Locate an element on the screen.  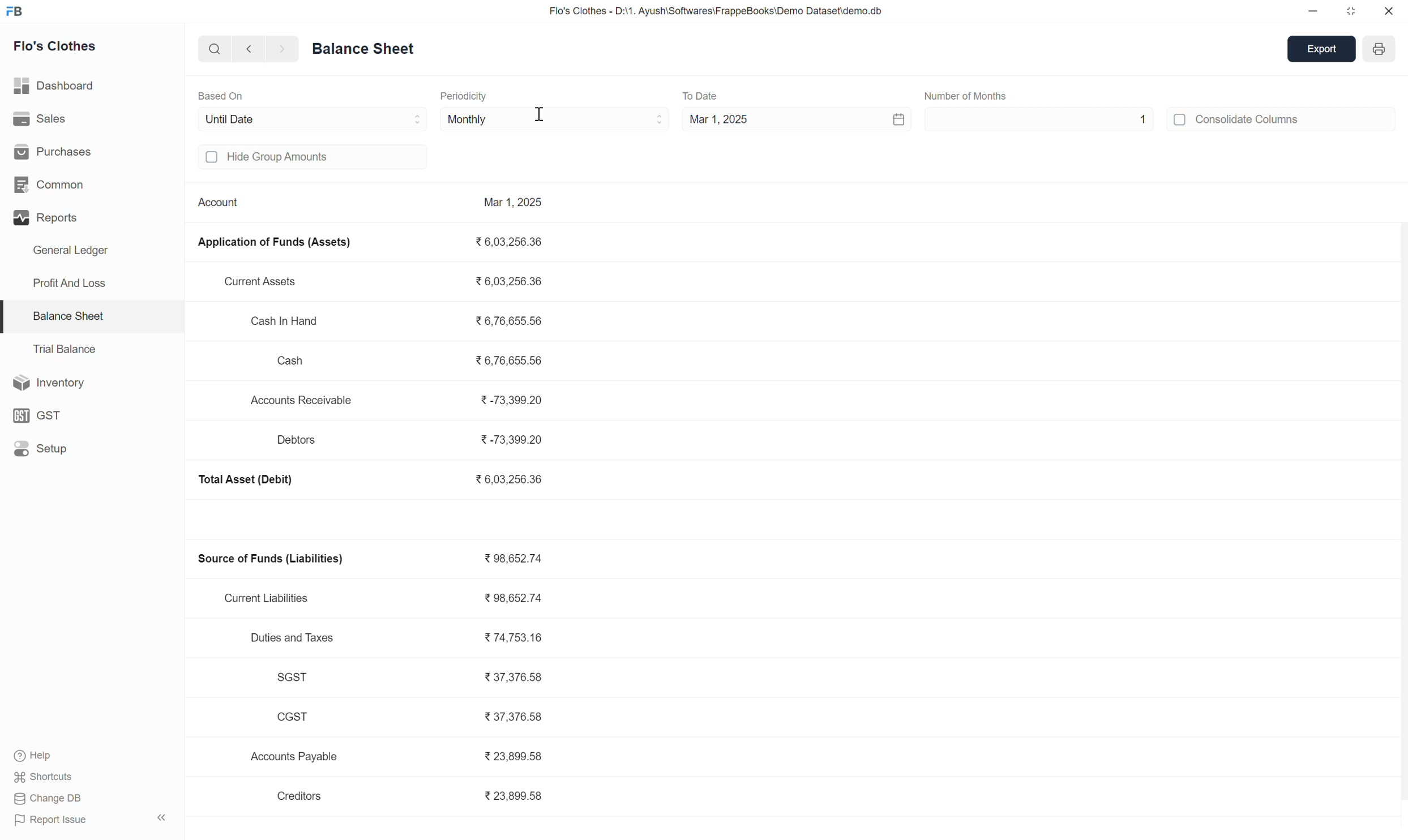
export is located at coordinates (1321, 50).